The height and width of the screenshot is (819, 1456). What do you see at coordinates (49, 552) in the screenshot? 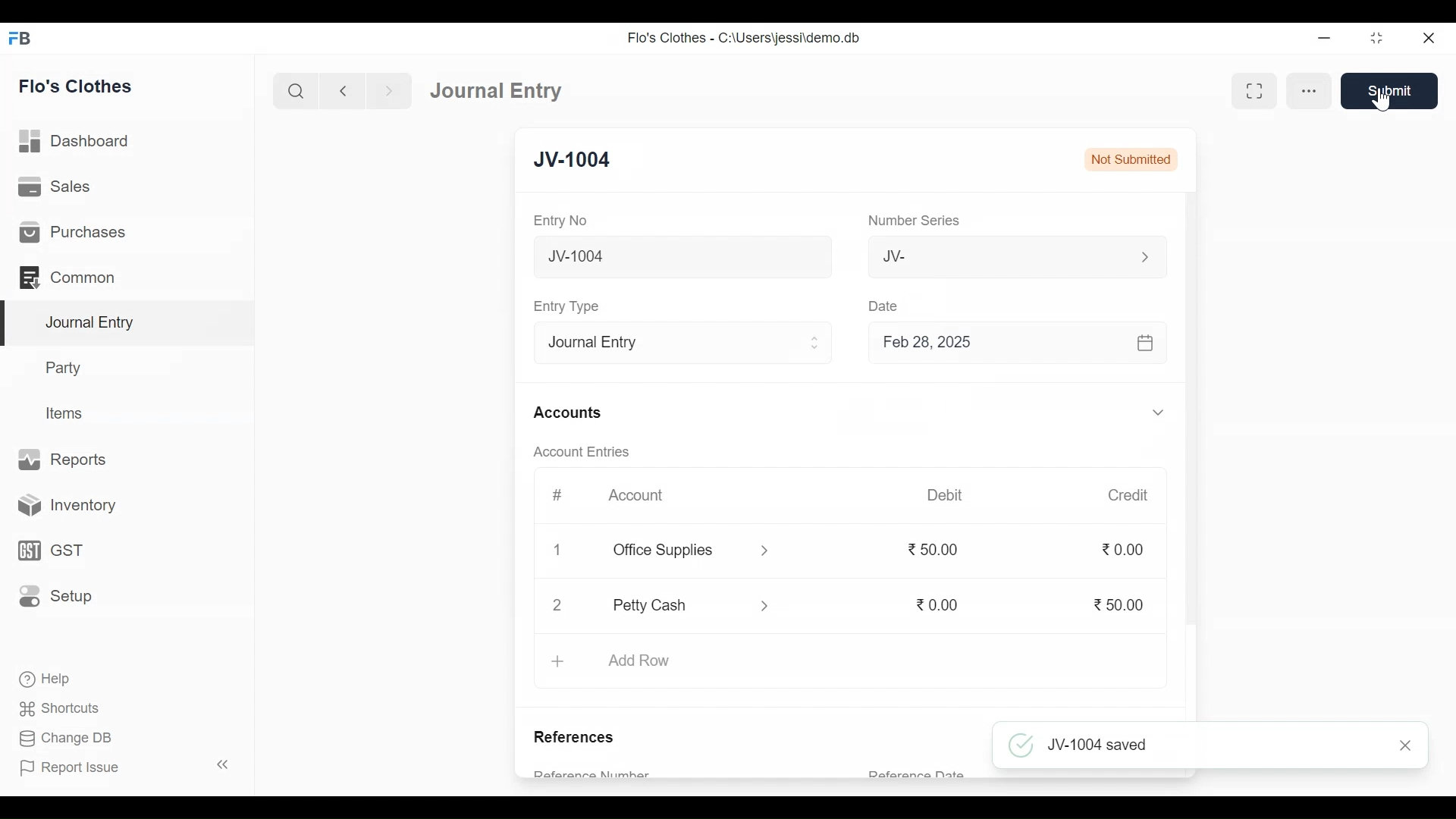
I see `GST` at bounding box center [49, 552].